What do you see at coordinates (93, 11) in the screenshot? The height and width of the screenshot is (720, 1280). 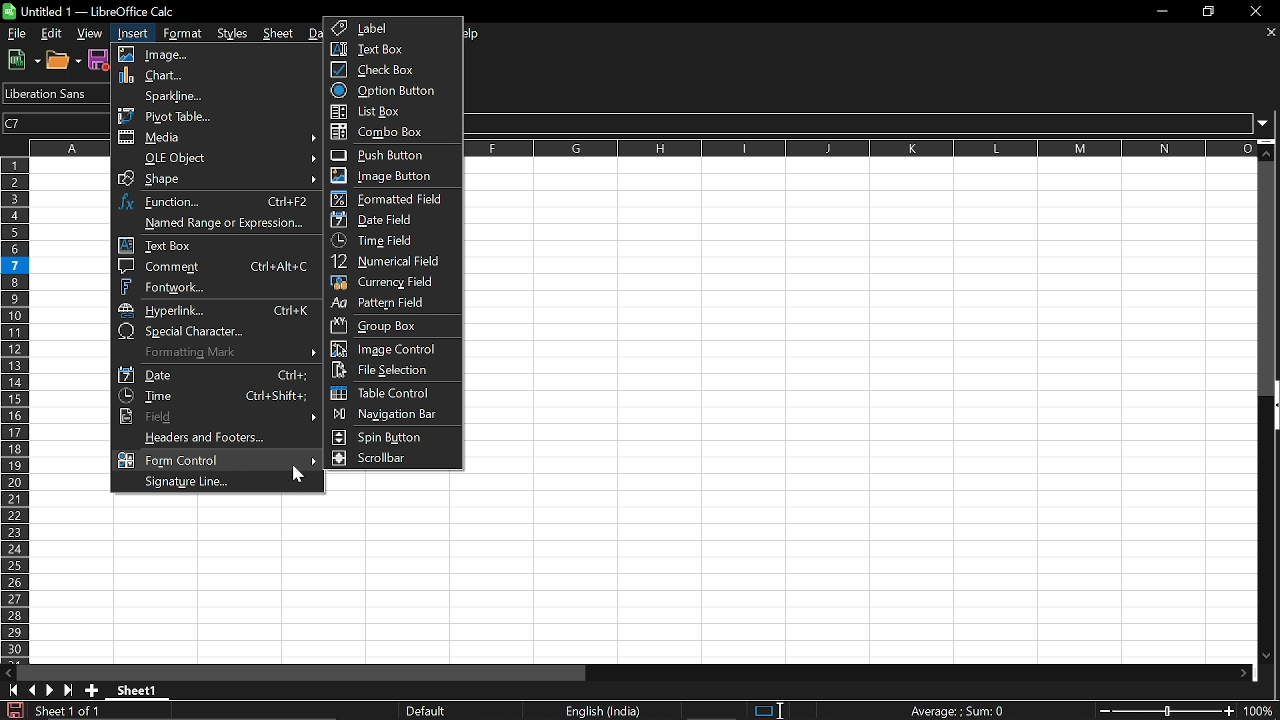 I see `Current window` at bounding box center [93, 11].